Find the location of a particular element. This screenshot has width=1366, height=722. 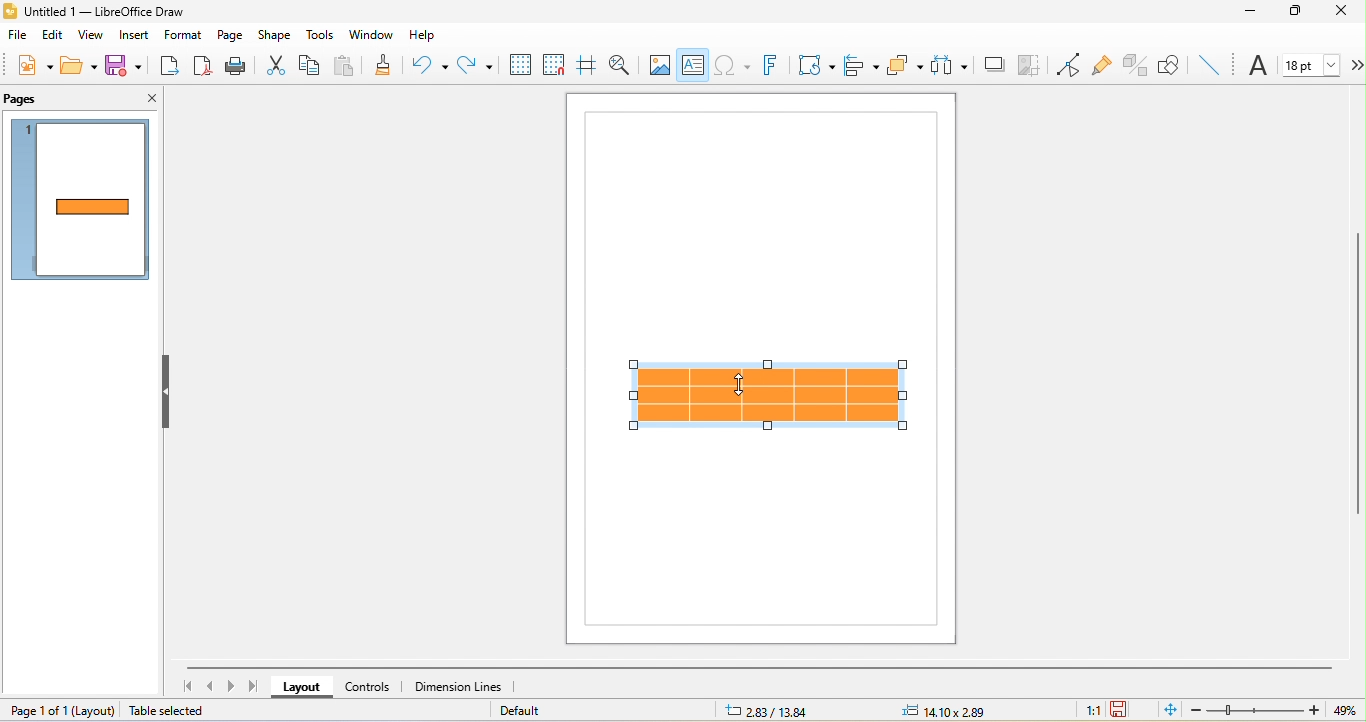

2.83/13.84 is located at coordinates (770, 711).